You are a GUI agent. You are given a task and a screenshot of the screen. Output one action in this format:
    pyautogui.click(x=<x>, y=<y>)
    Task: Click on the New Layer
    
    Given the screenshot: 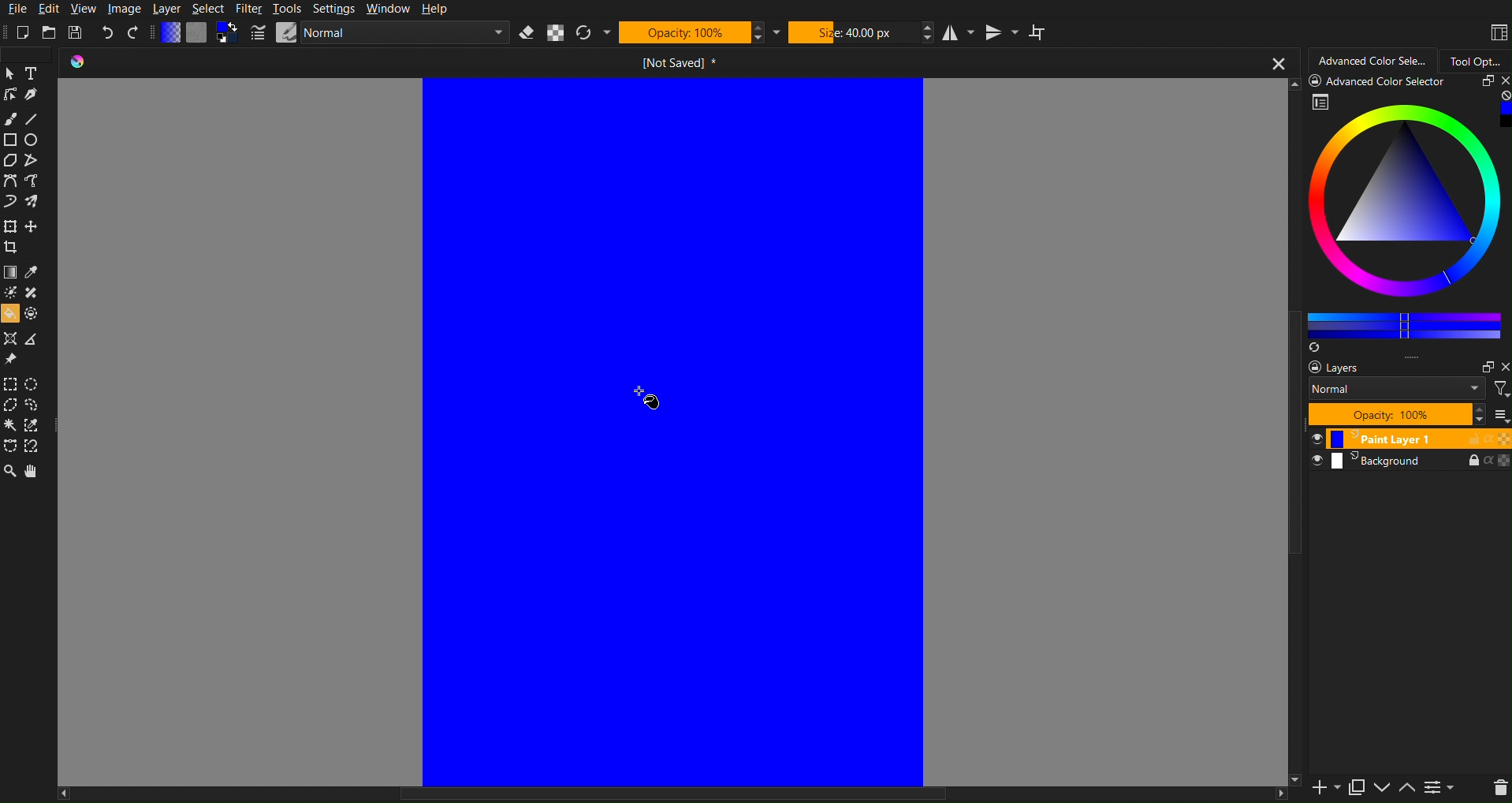 What is the action you would take?
    pyautogui.click(x=1316, y=785)
    